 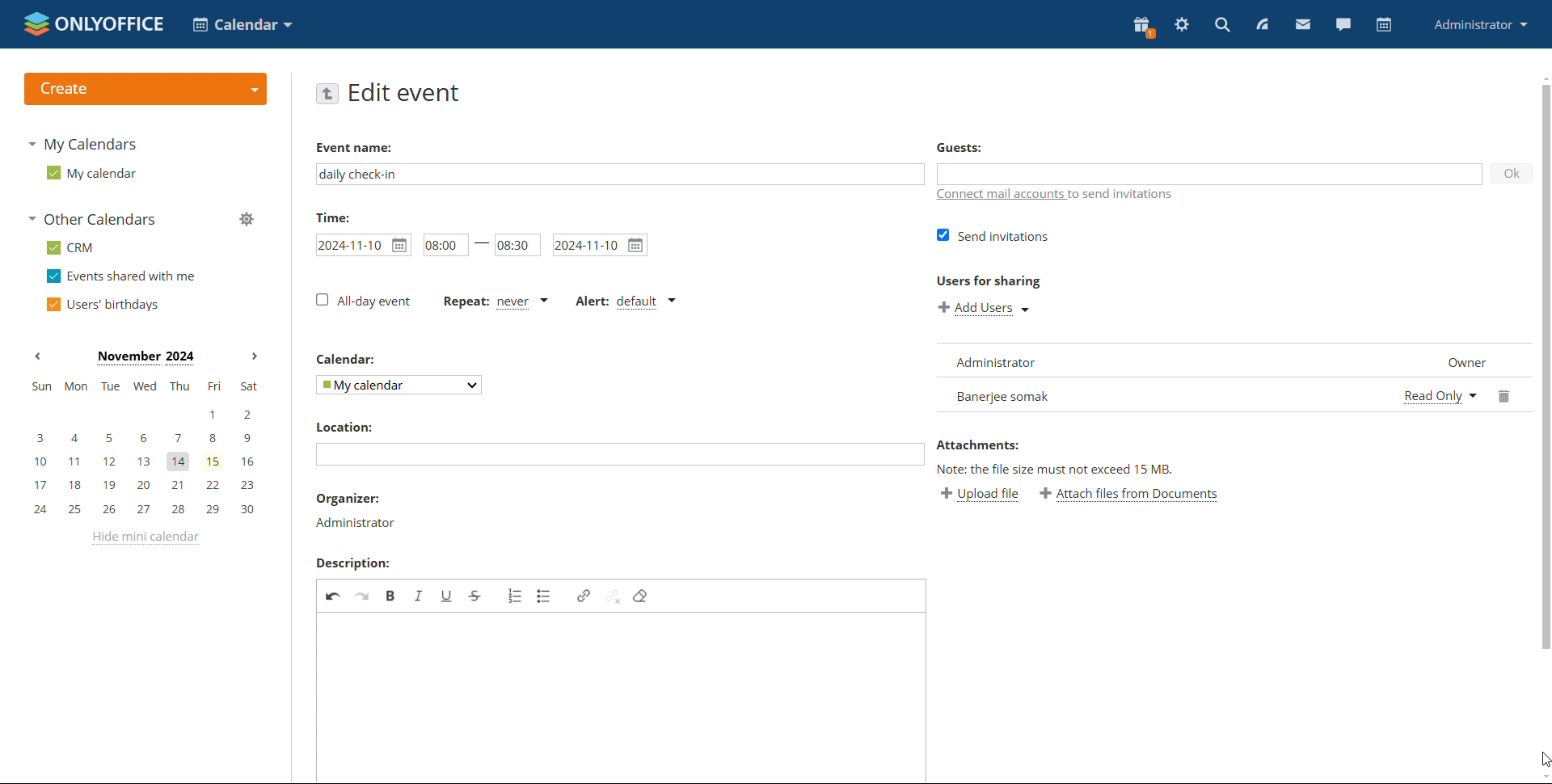 What do you see at coordinates (496, 304) in the screenshot?
I see `event repetition` at bounding box center [496, 304].